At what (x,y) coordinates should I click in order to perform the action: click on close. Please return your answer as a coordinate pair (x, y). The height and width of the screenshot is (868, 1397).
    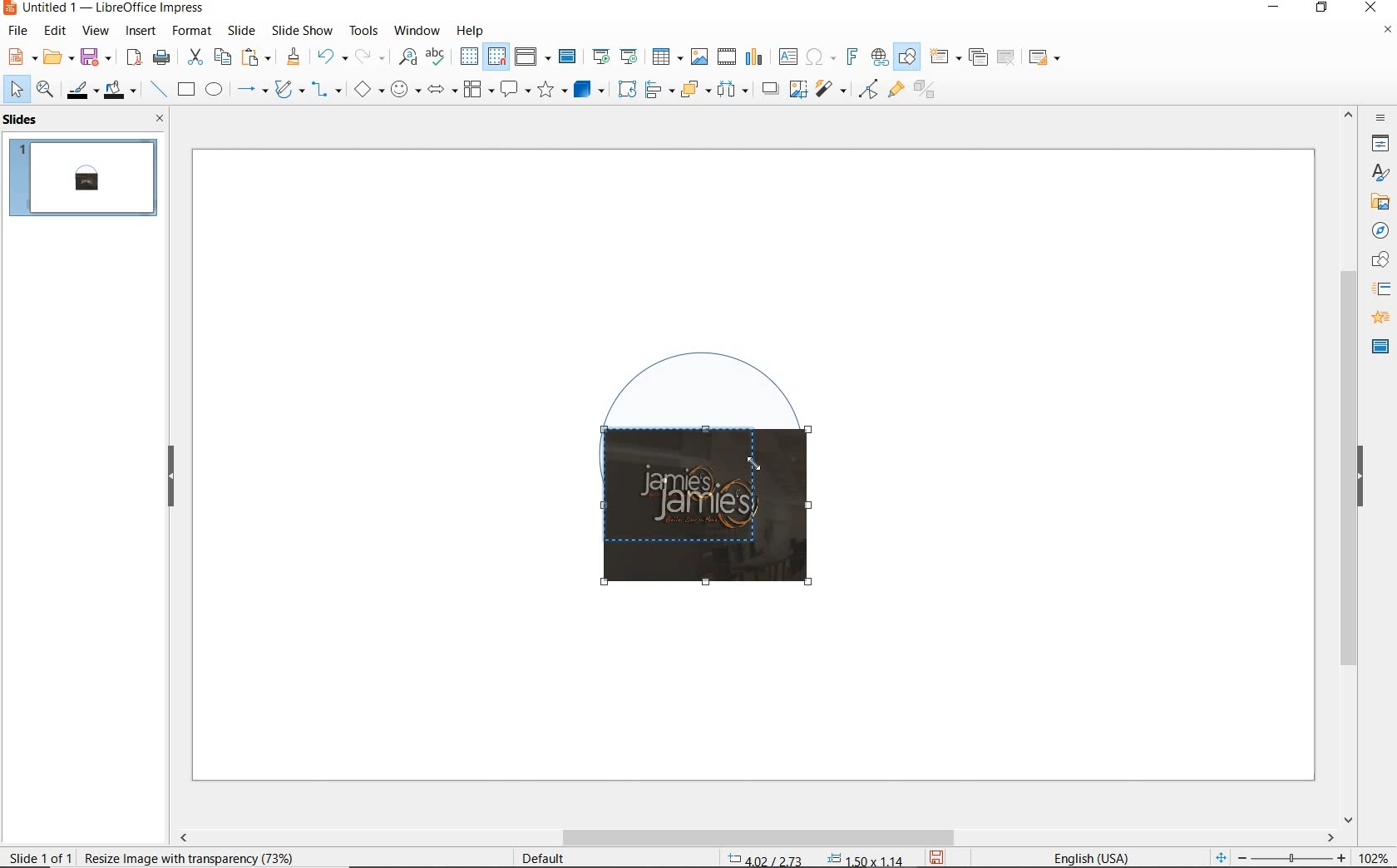
    Looking at the image, I should click on (155, 118).